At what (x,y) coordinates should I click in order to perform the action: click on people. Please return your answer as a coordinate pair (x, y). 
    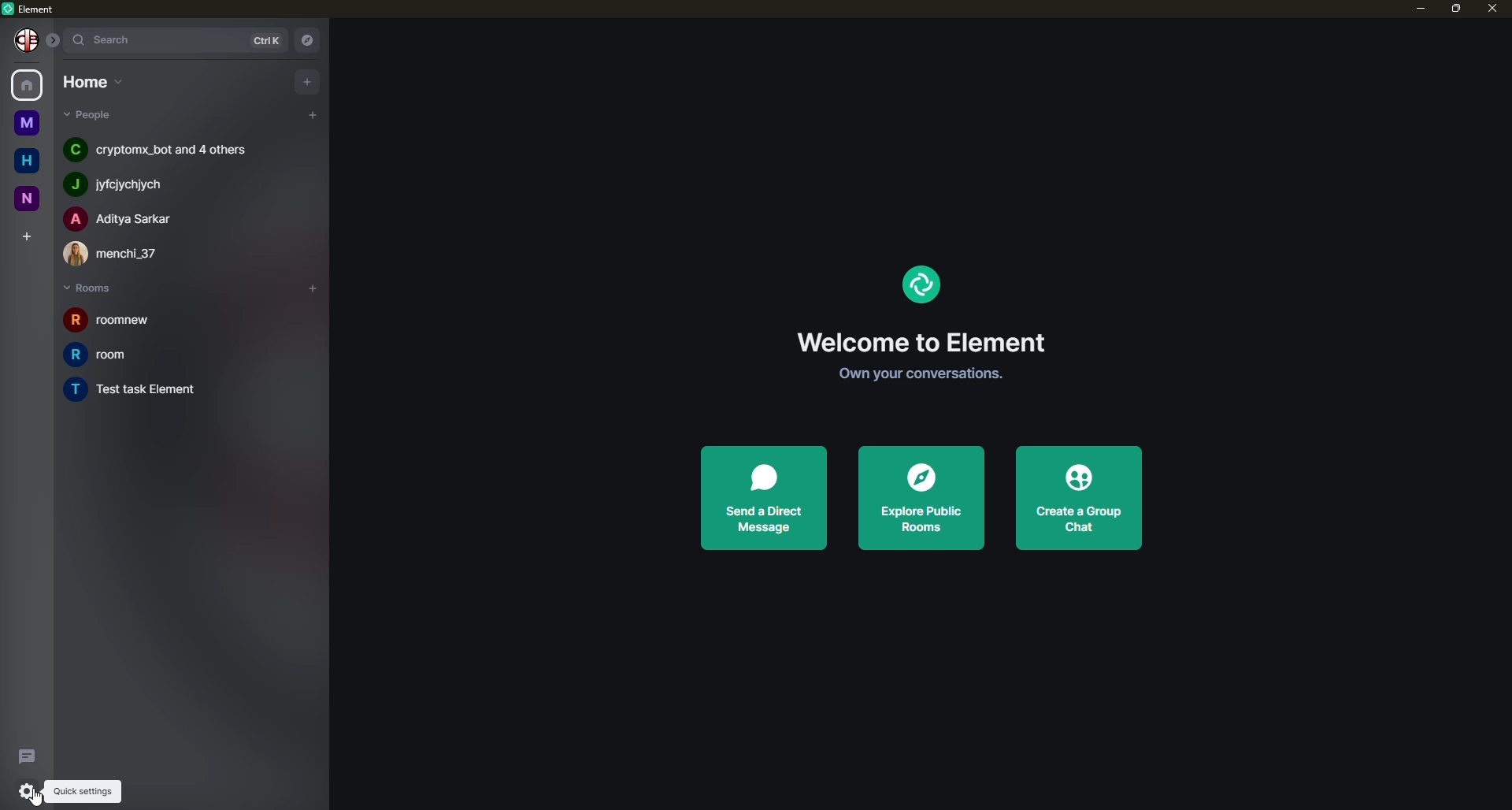
    Looking at the image, I should click on (124, 218).